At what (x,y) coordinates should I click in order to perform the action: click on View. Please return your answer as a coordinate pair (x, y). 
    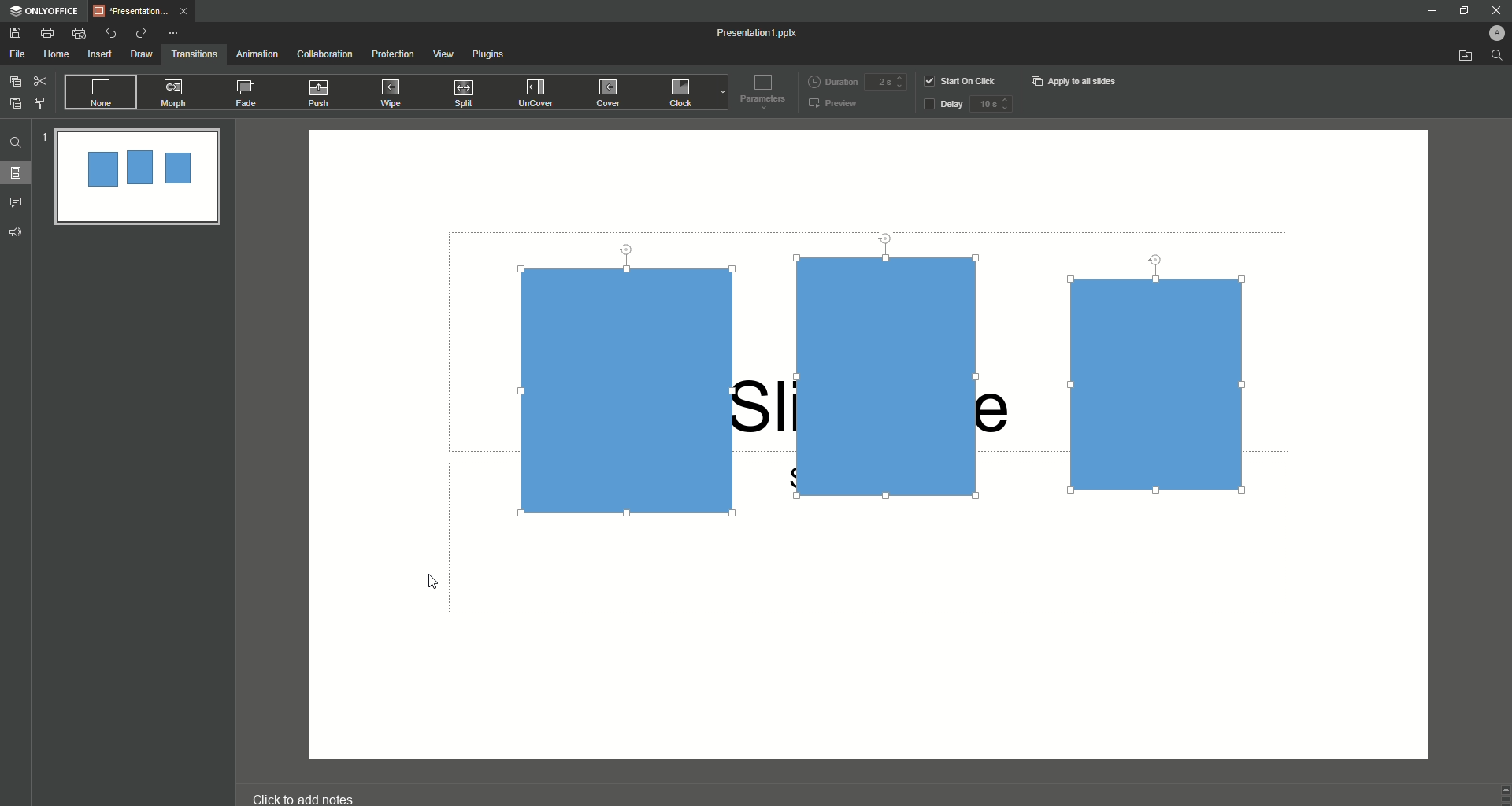
    Looking at the image, I should click on (443, 54).